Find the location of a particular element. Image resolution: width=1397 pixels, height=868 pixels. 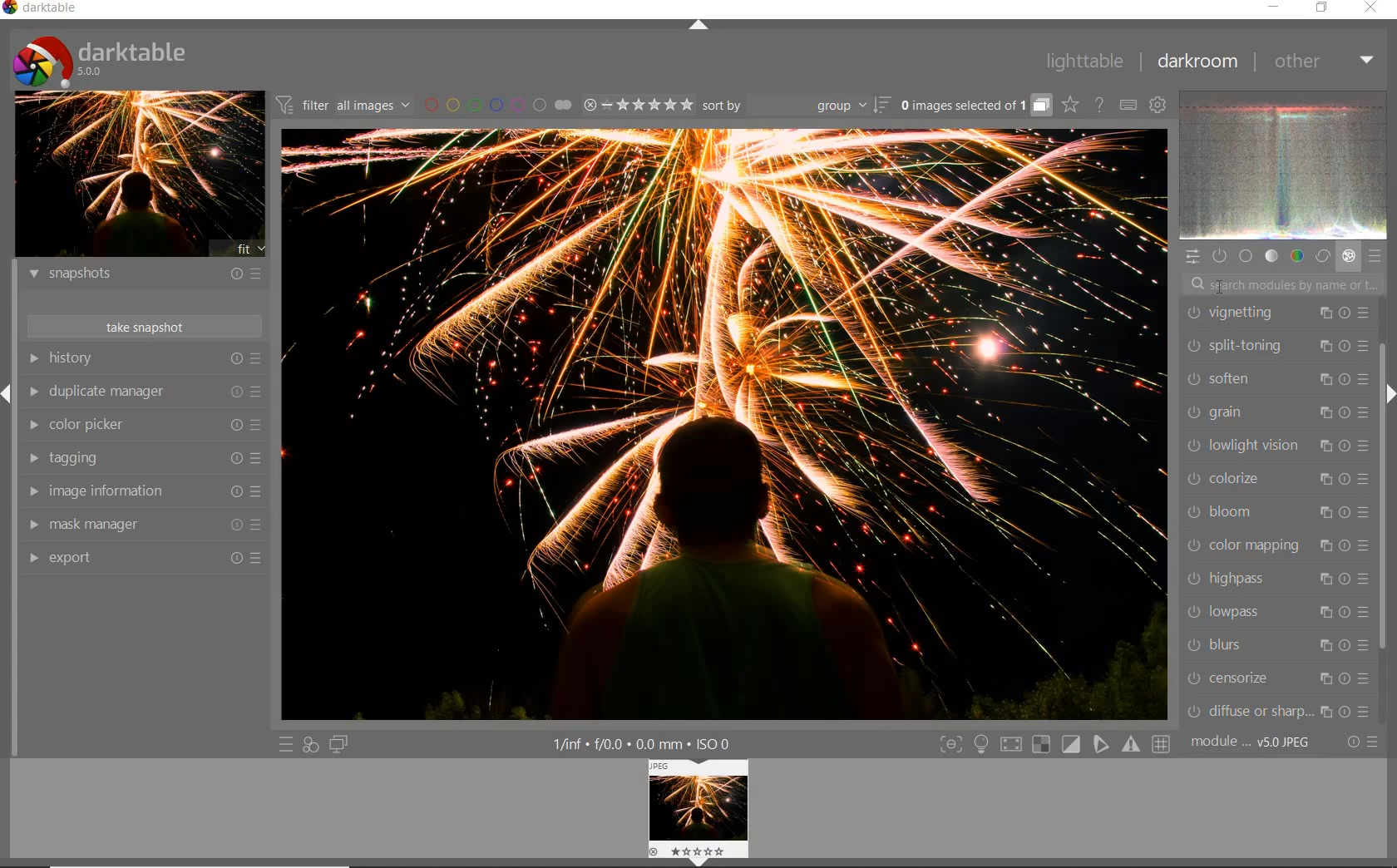

censorize is located at coordinates (1281, 680).